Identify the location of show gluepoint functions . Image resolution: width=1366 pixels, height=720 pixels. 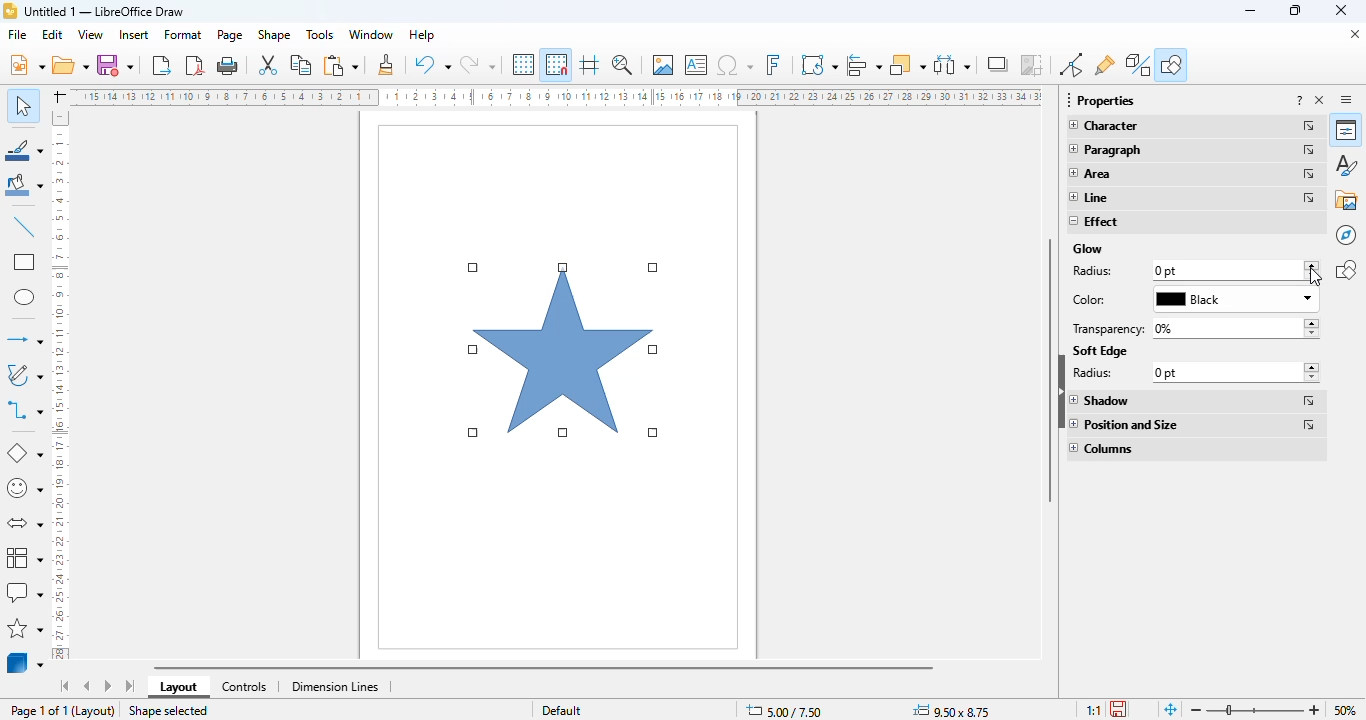
(1105, 65).